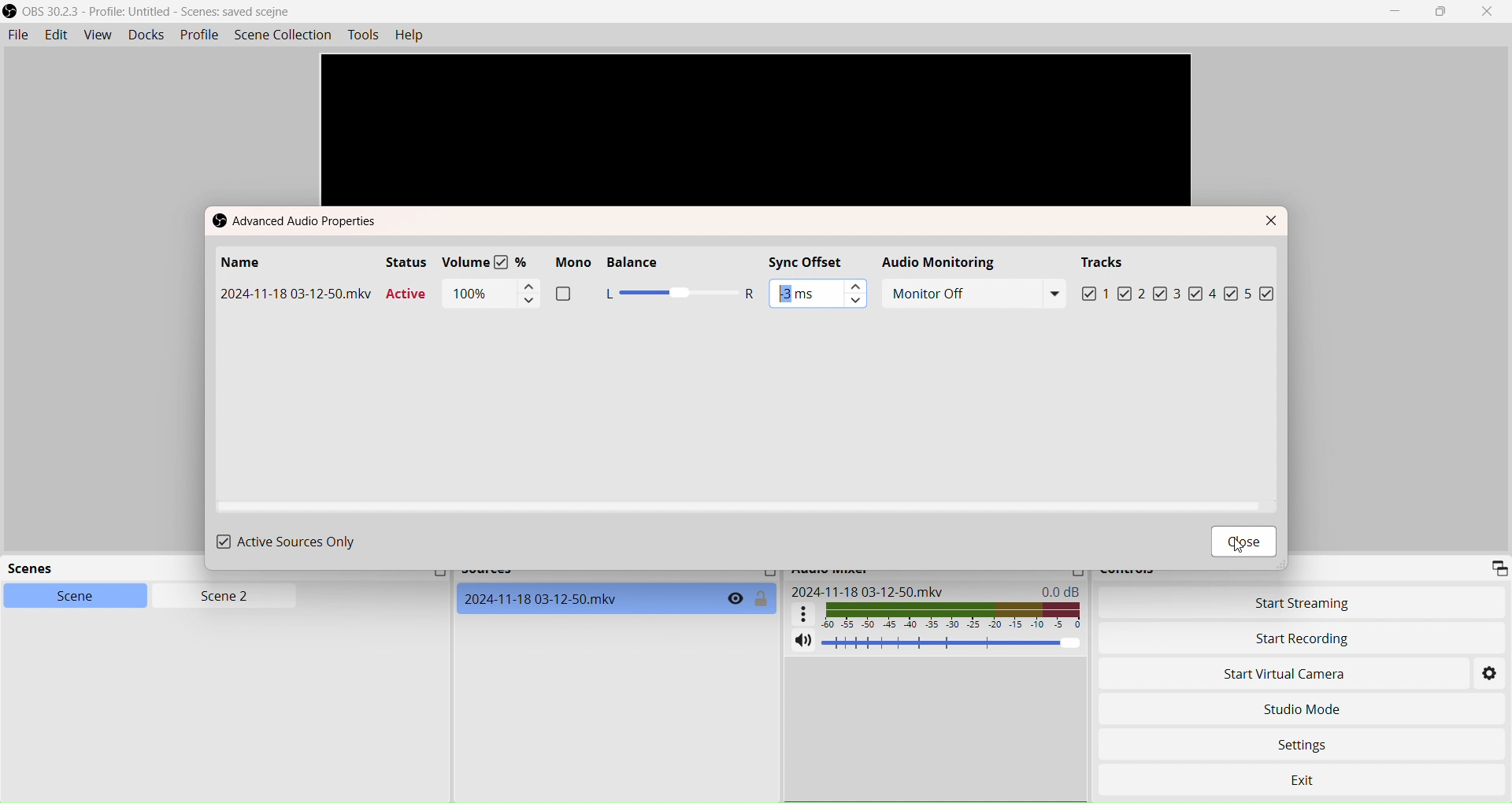 Image resolution: width=1512 pixels, height=803 pixels. What do you see at coordinates (856, 285) in the screenshot?
I see `Increment` at bounding box center [856, 285].